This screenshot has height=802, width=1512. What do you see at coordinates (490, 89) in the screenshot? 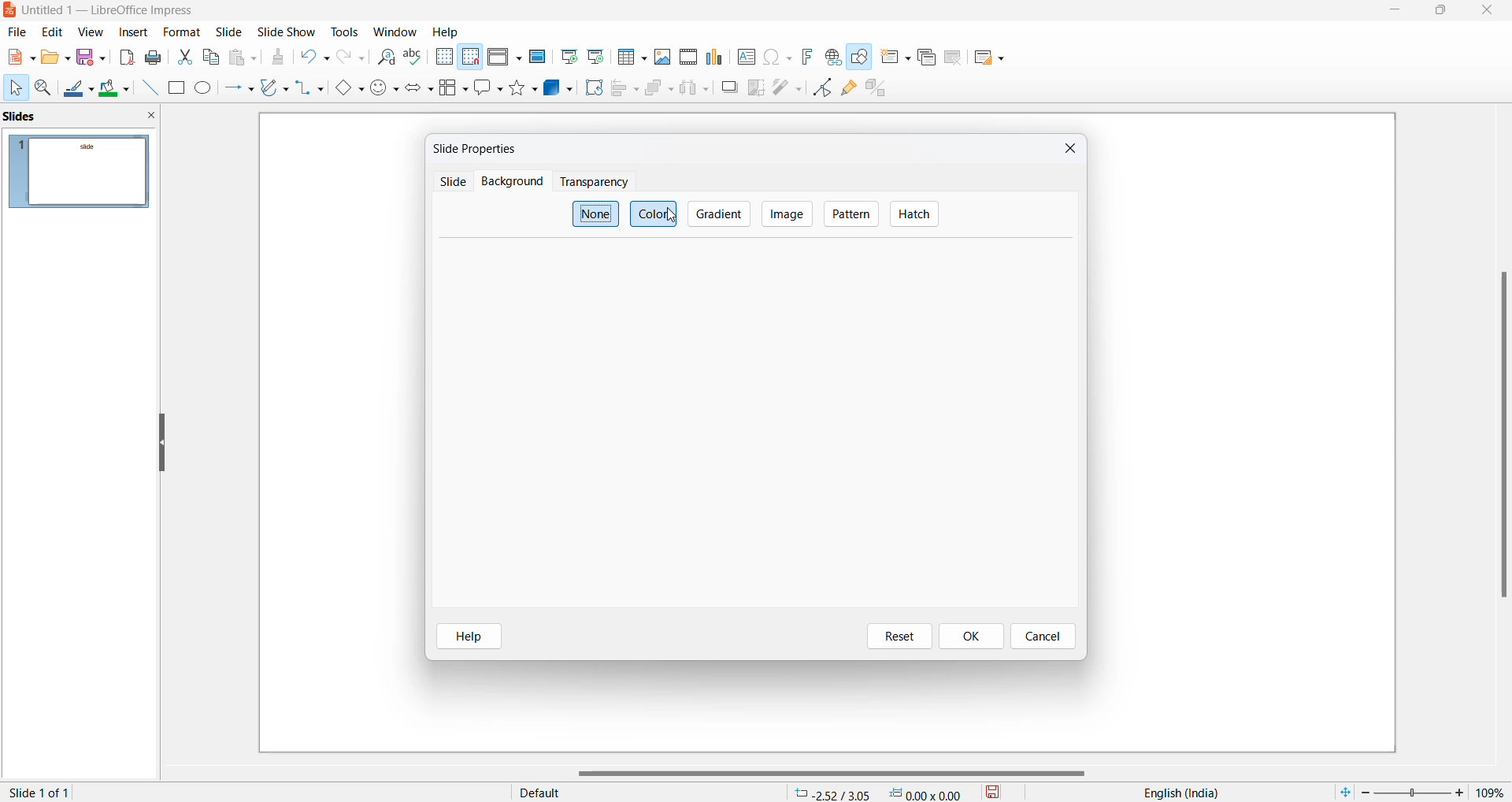
I see `callout shapes` at bounding box center [490, 89].